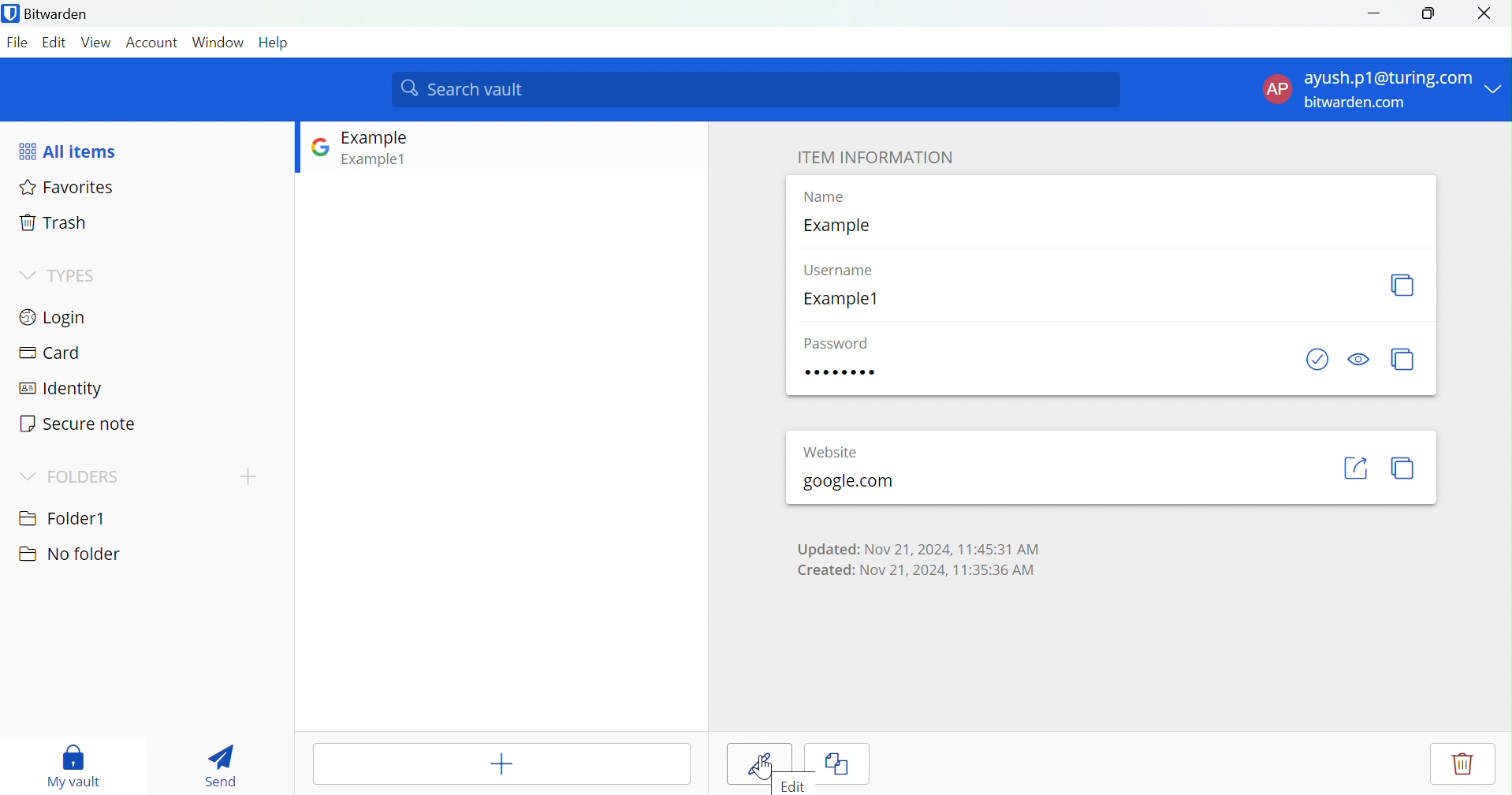 Image resolution: width=1512 pixels, height=795 pixels. I want to click on AP, so click(1277, 90).